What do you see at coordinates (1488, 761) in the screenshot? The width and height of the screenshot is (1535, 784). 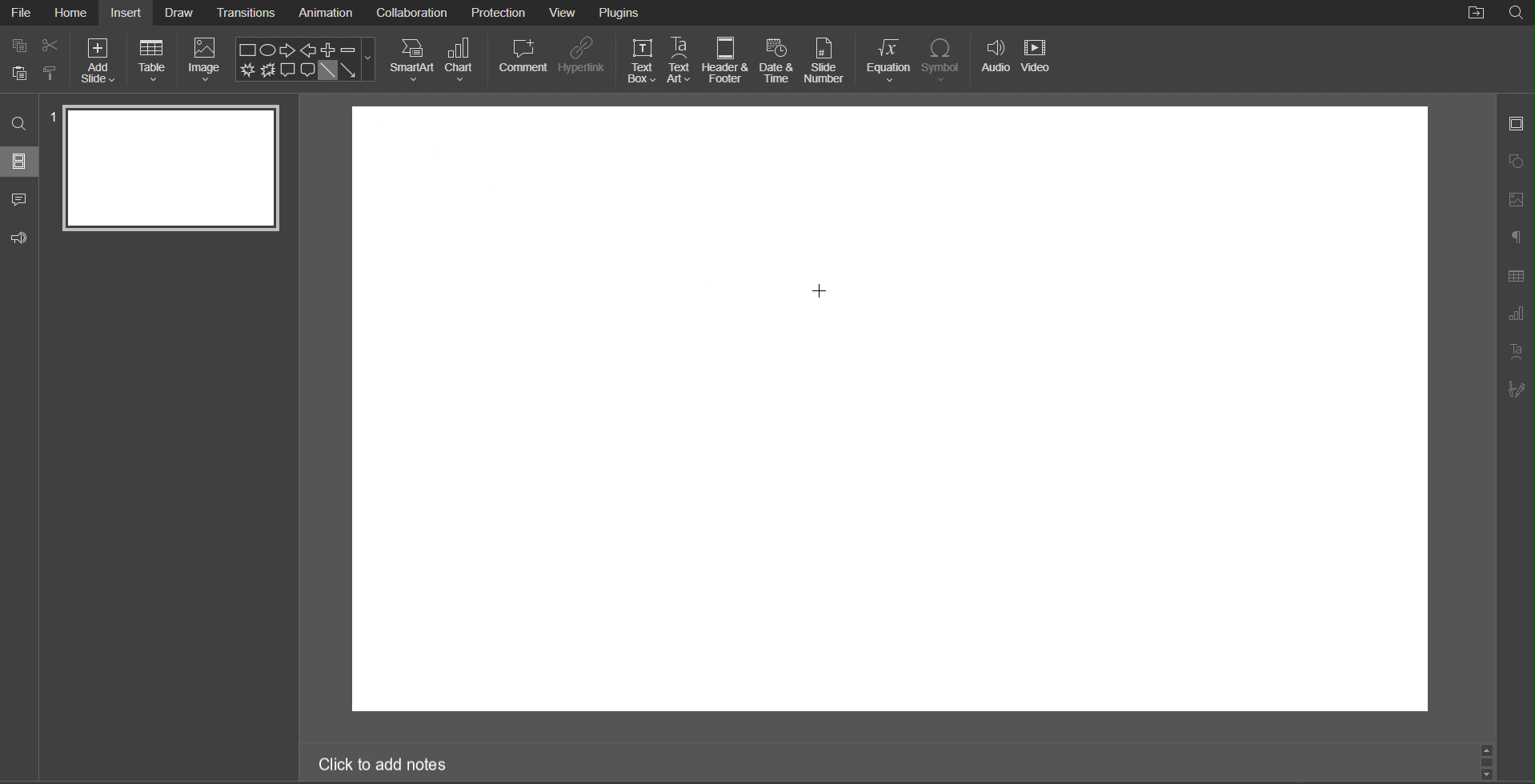 I see `Scroll Up and Down Arrows` at bounding box center [1488, 761].